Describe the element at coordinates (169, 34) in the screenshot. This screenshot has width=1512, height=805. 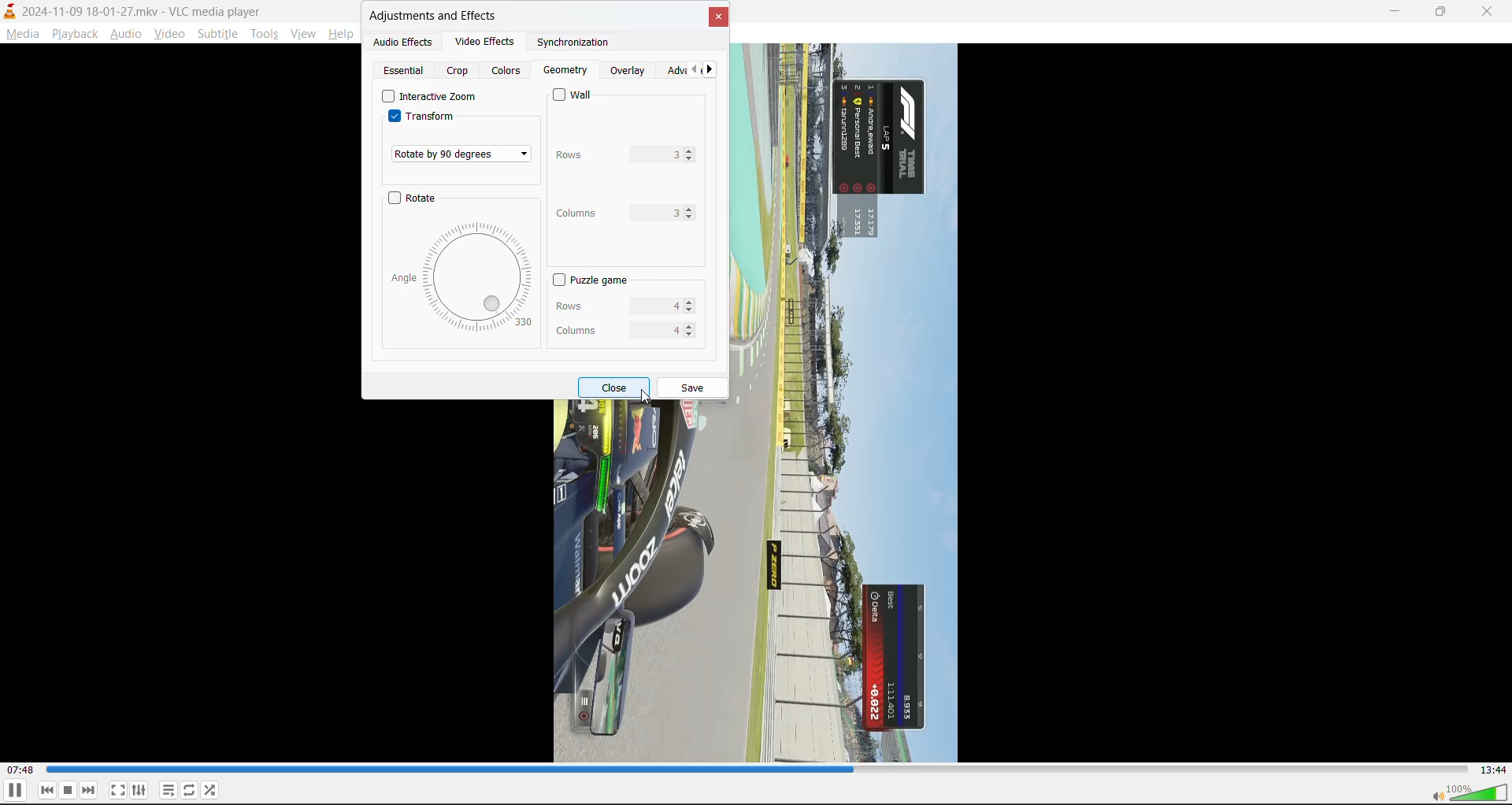
I see `video` at that location.